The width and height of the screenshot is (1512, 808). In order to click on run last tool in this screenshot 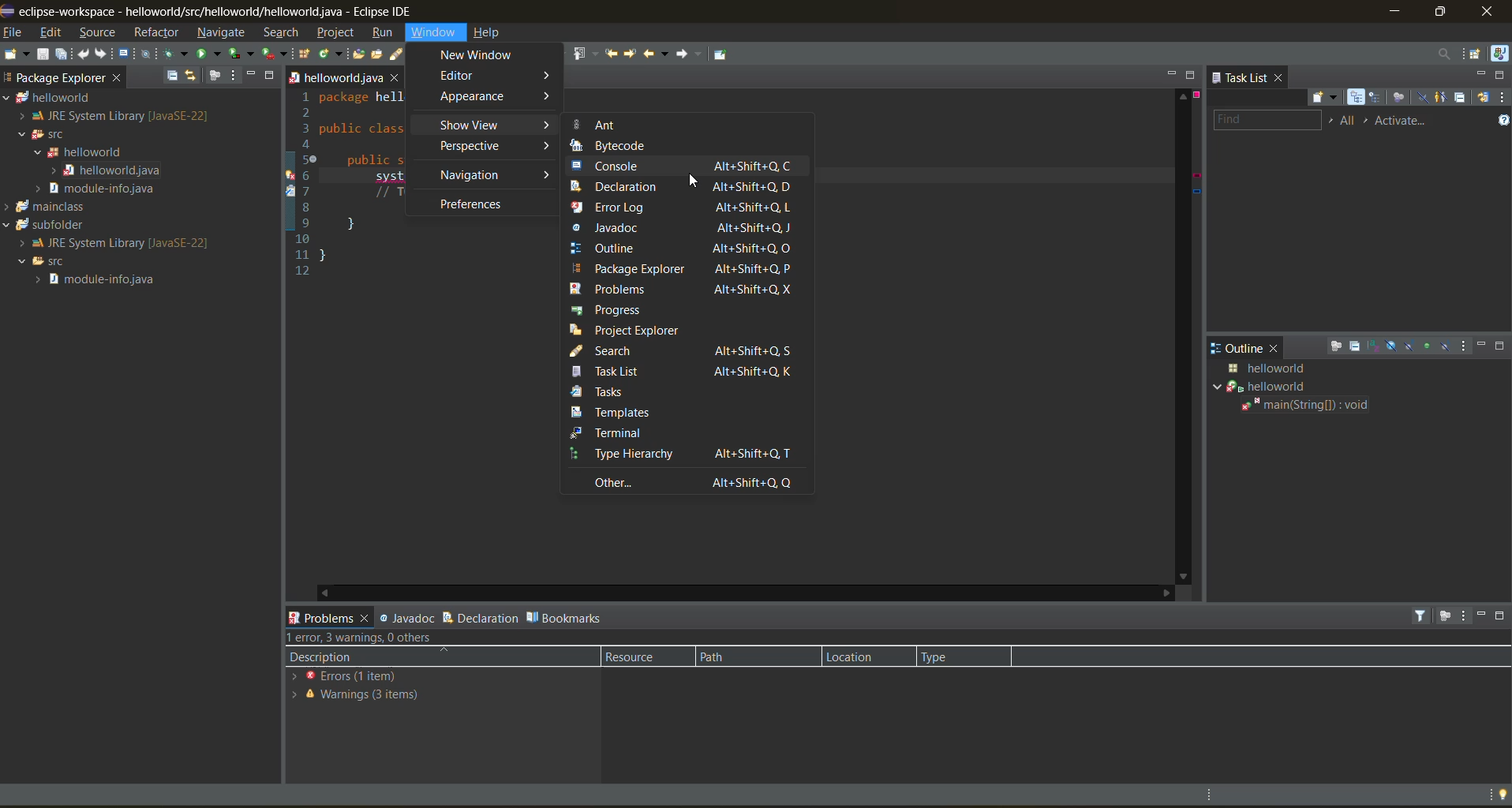, I will do `click(276, 54)`.